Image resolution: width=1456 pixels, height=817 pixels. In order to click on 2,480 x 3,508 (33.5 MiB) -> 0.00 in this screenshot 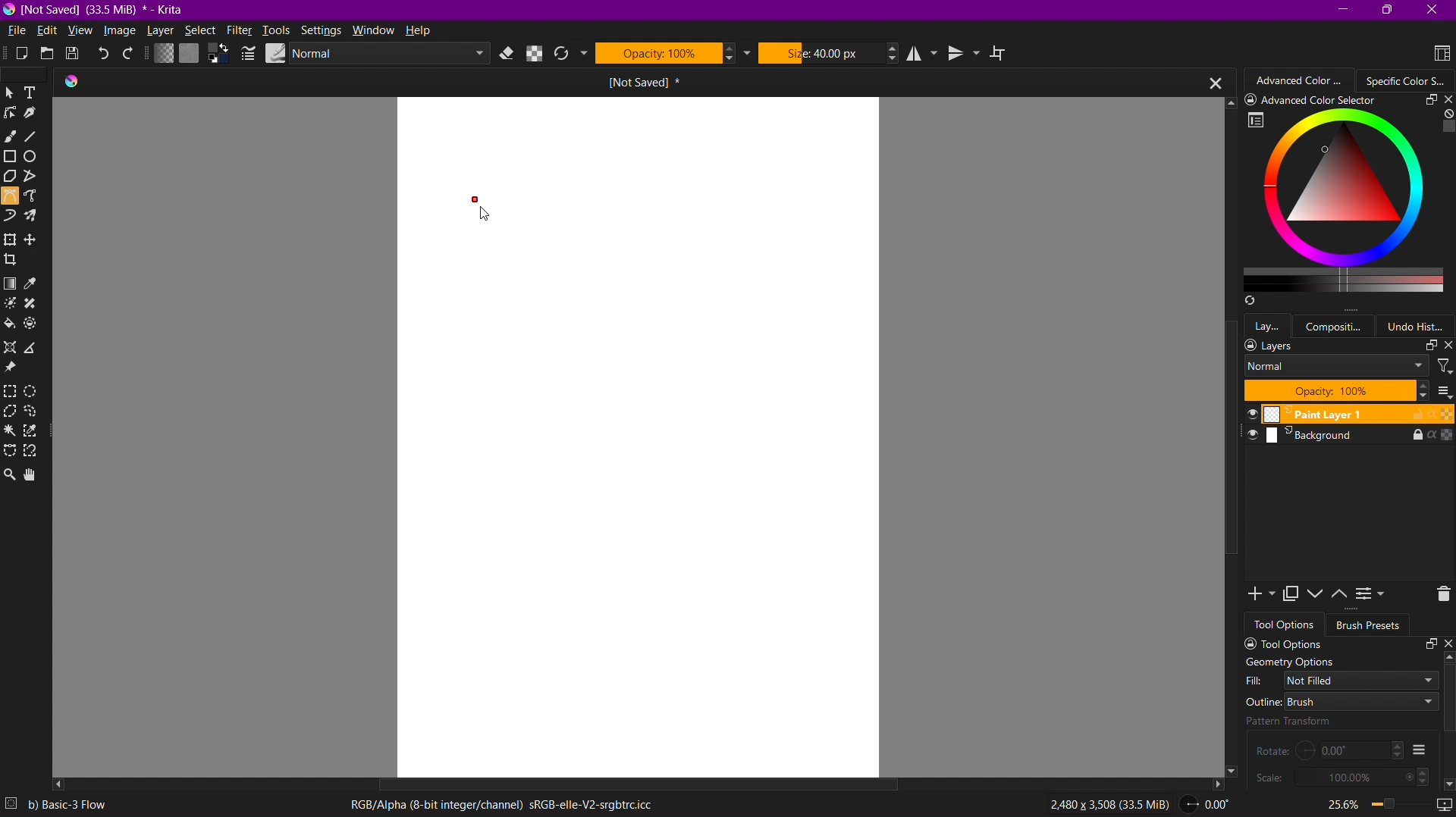, I will do `click(1133, 806)`.